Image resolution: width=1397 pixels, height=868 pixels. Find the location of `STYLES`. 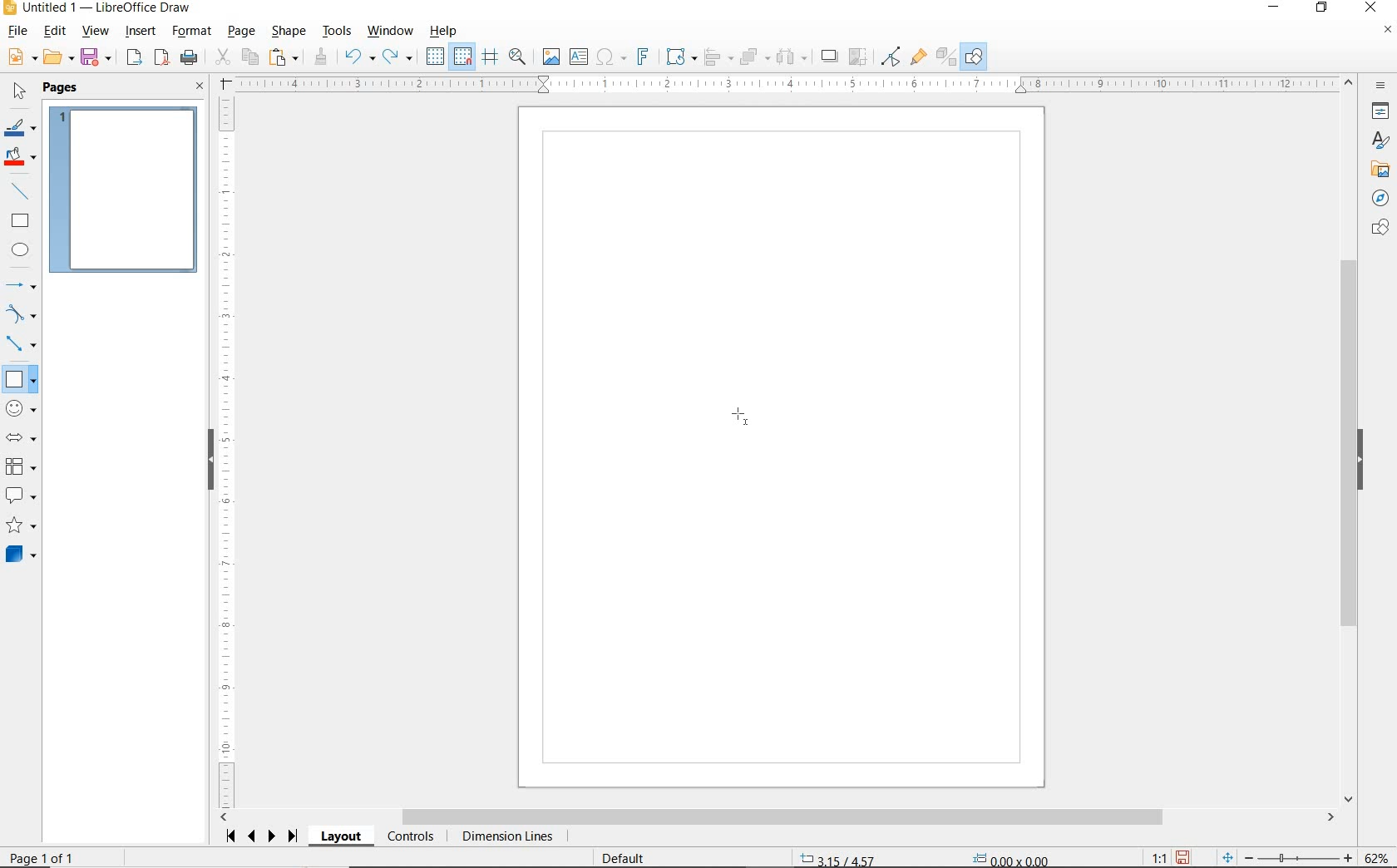

STYLES is located at coordinates (1376, 141).